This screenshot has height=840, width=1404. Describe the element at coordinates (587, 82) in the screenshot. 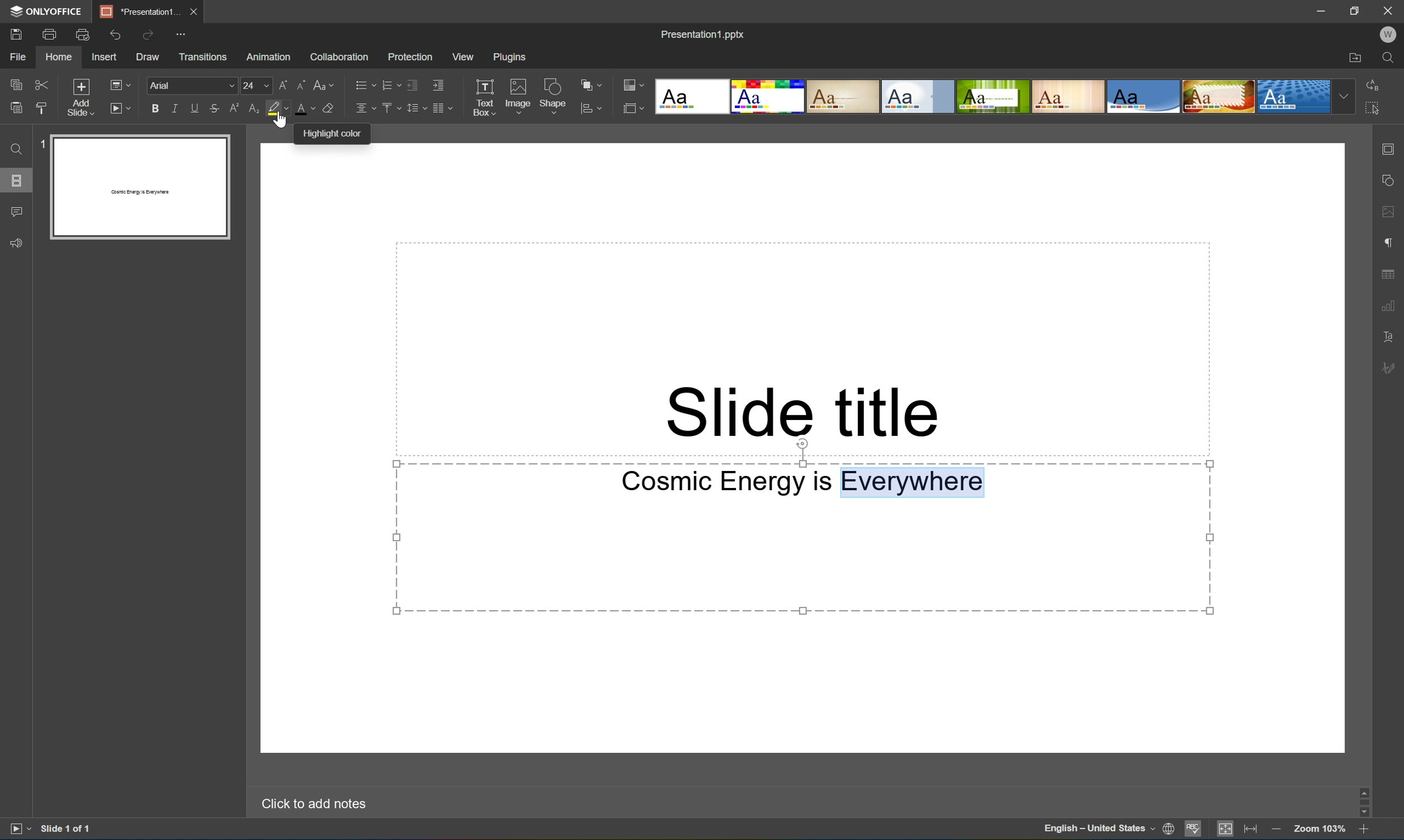

I see `Arrange shape` at that location.